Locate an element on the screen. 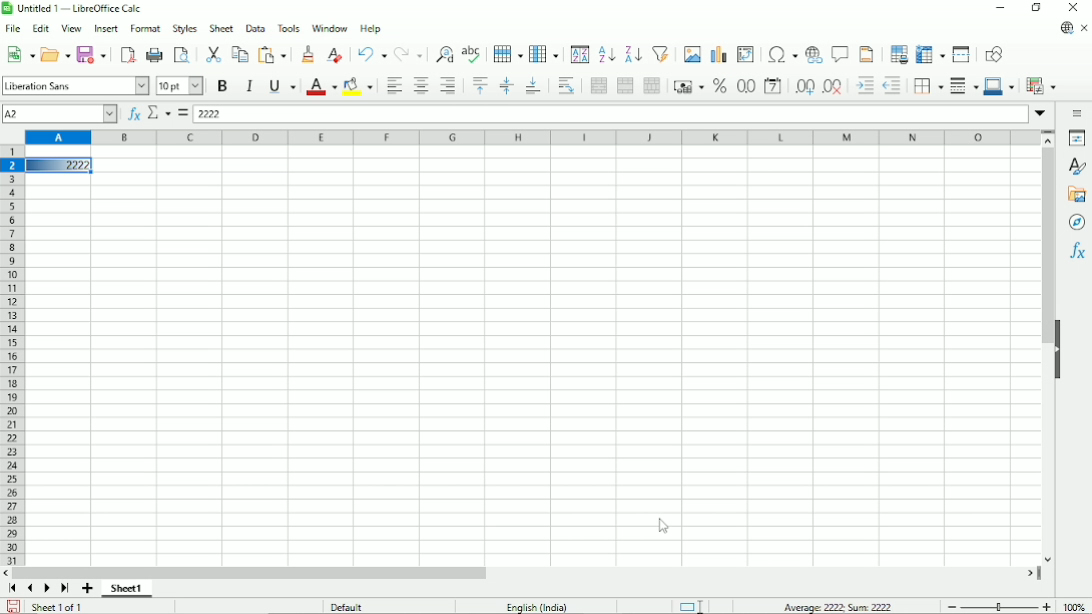  Insert comment is located at coordinates (838, 54).